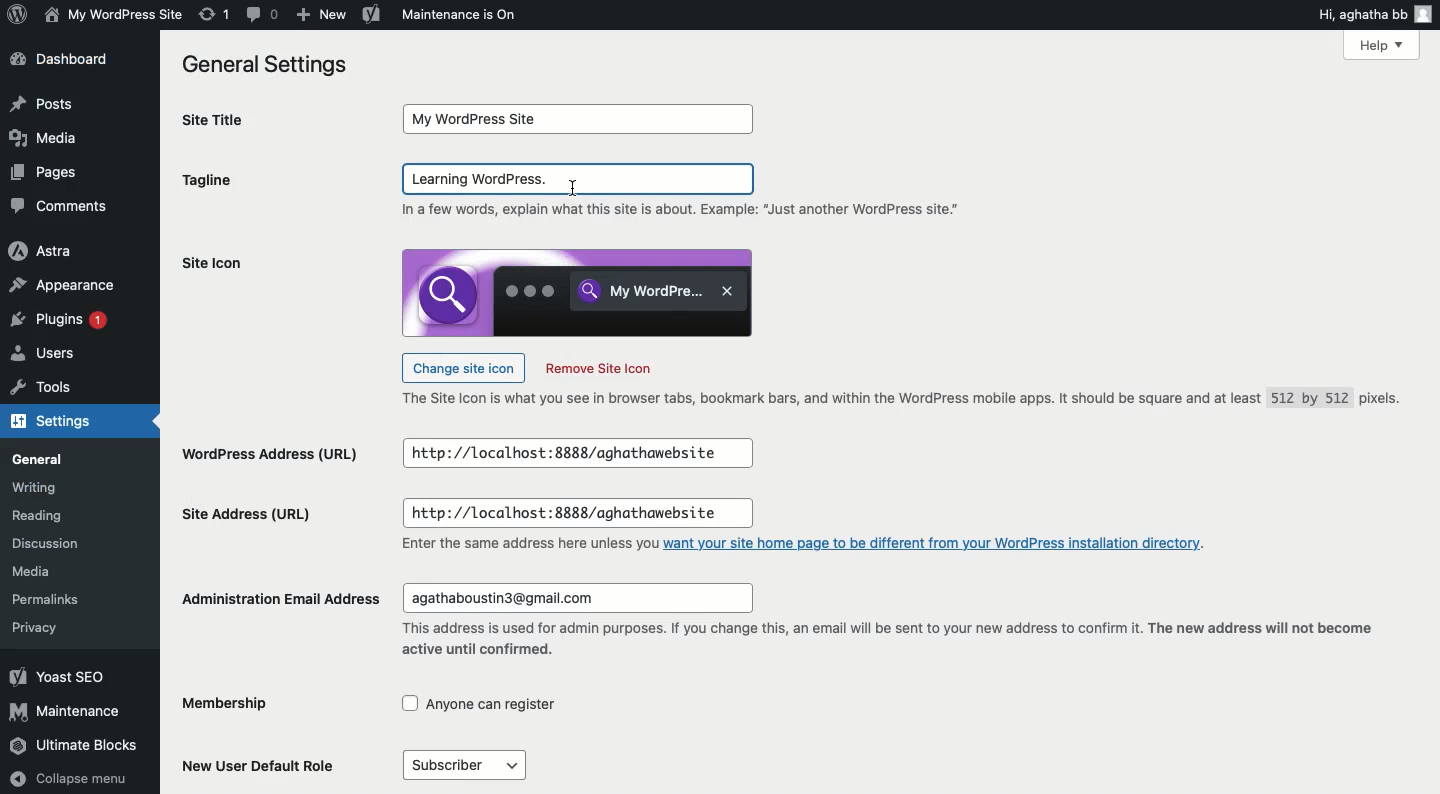 The image size is (1440, 794). Describe the element at coordinates (43, 391) in the screenshot. I see `Tools` at that location.